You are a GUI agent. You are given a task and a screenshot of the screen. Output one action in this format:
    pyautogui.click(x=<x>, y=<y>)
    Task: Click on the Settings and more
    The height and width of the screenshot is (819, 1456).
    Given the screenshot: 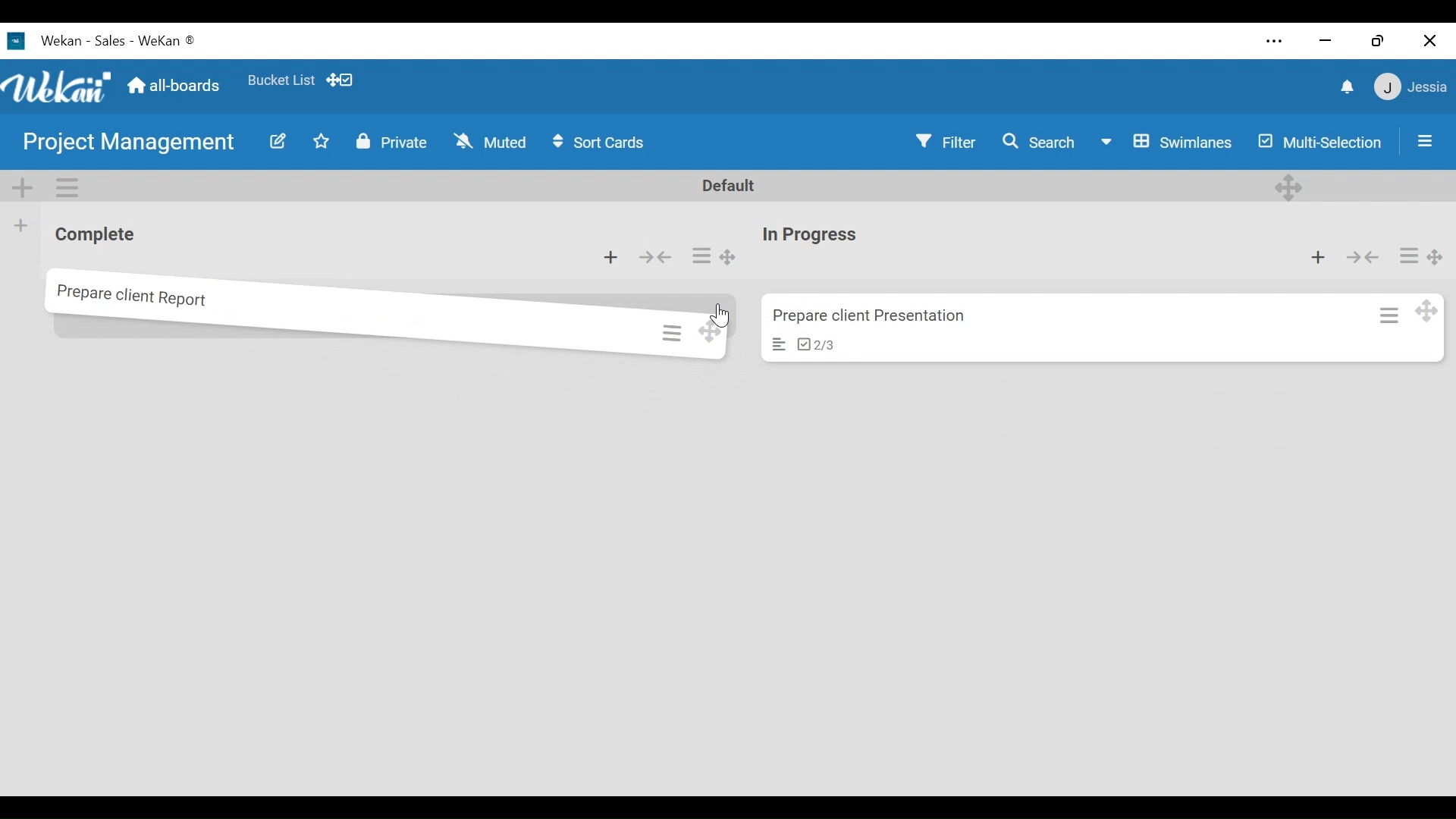 What is the action you would take?
    pyautogui.click(x=1268, y=39)
    